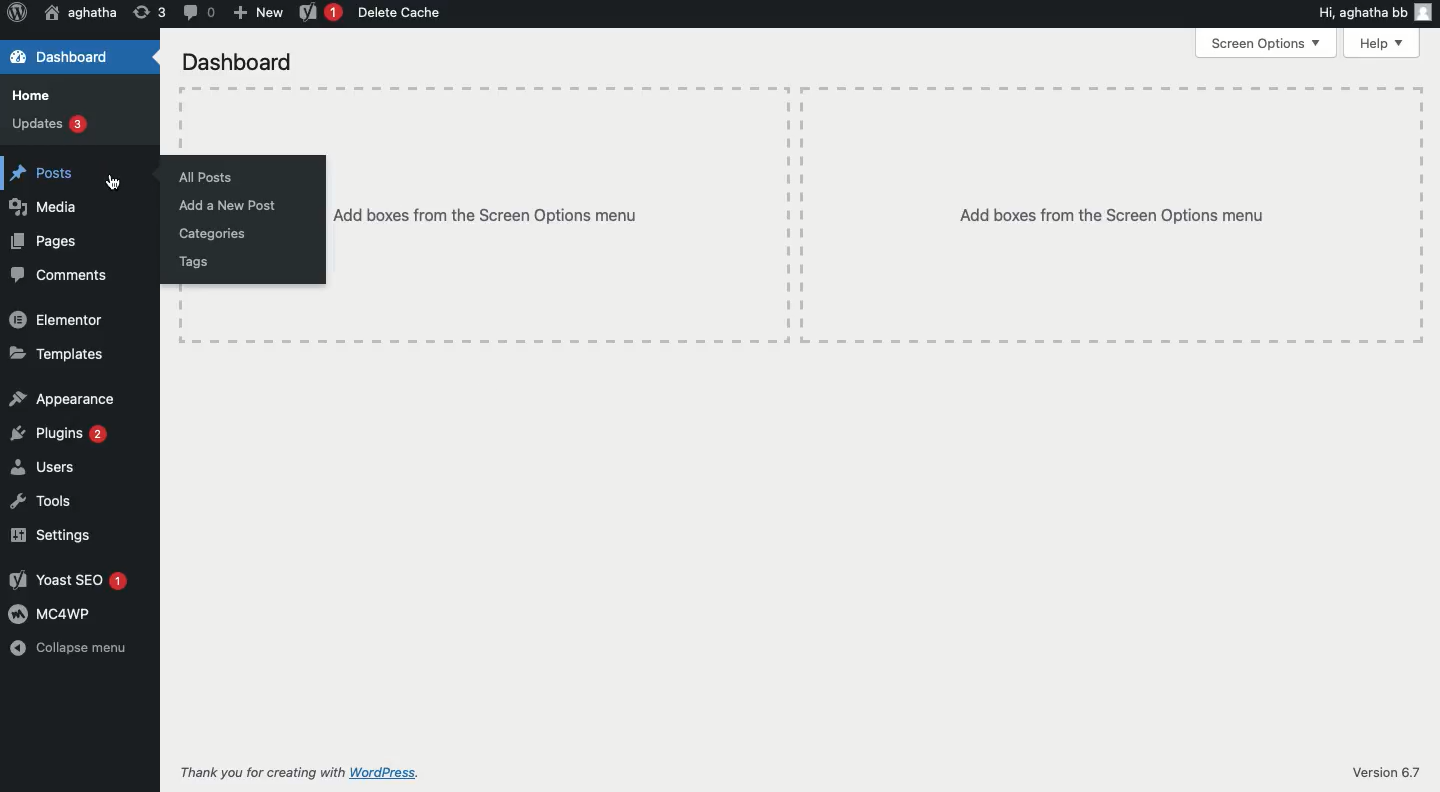 This screenshot has width=1440, height=792. What do you see at coordinates (1104, 211) in the screenshot?
I see `Add boxes from the screen options menu` at bounding box center [1104, 211].